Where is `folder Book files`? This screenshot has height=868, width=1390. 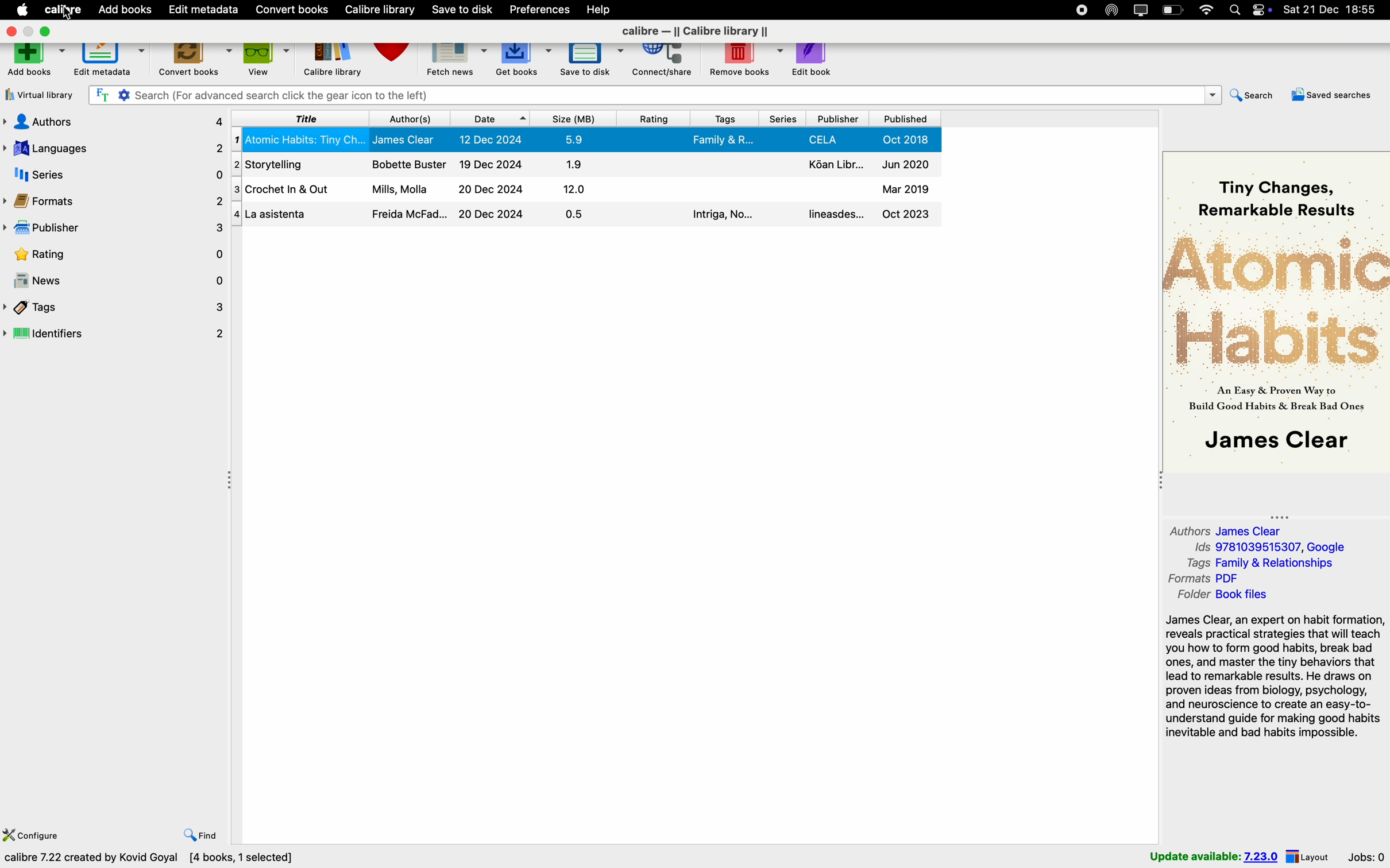
folder Book files is located at coordinates (1221, 596).